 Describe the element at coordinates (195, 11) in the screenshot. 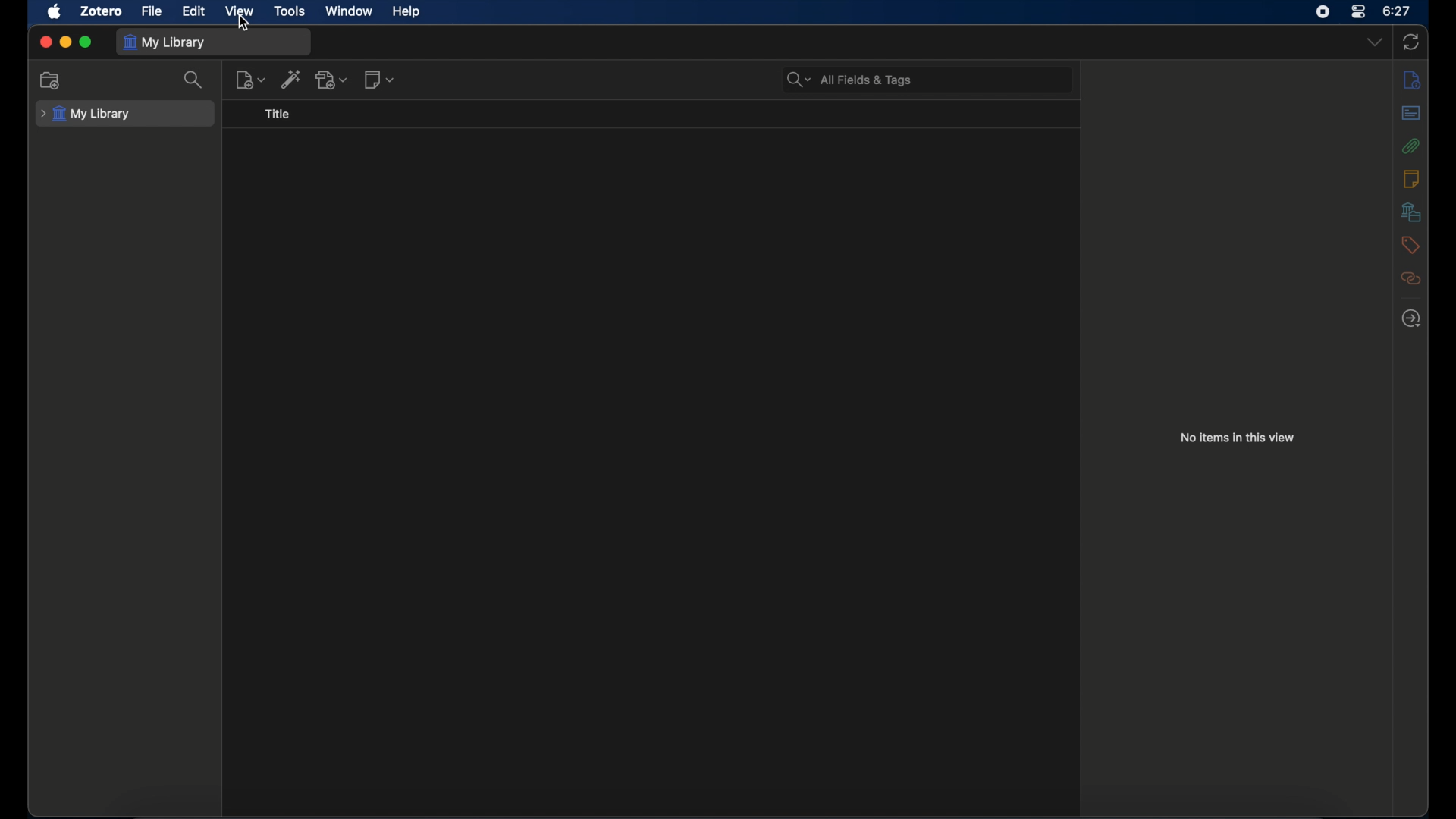

I see `edit` at that location.